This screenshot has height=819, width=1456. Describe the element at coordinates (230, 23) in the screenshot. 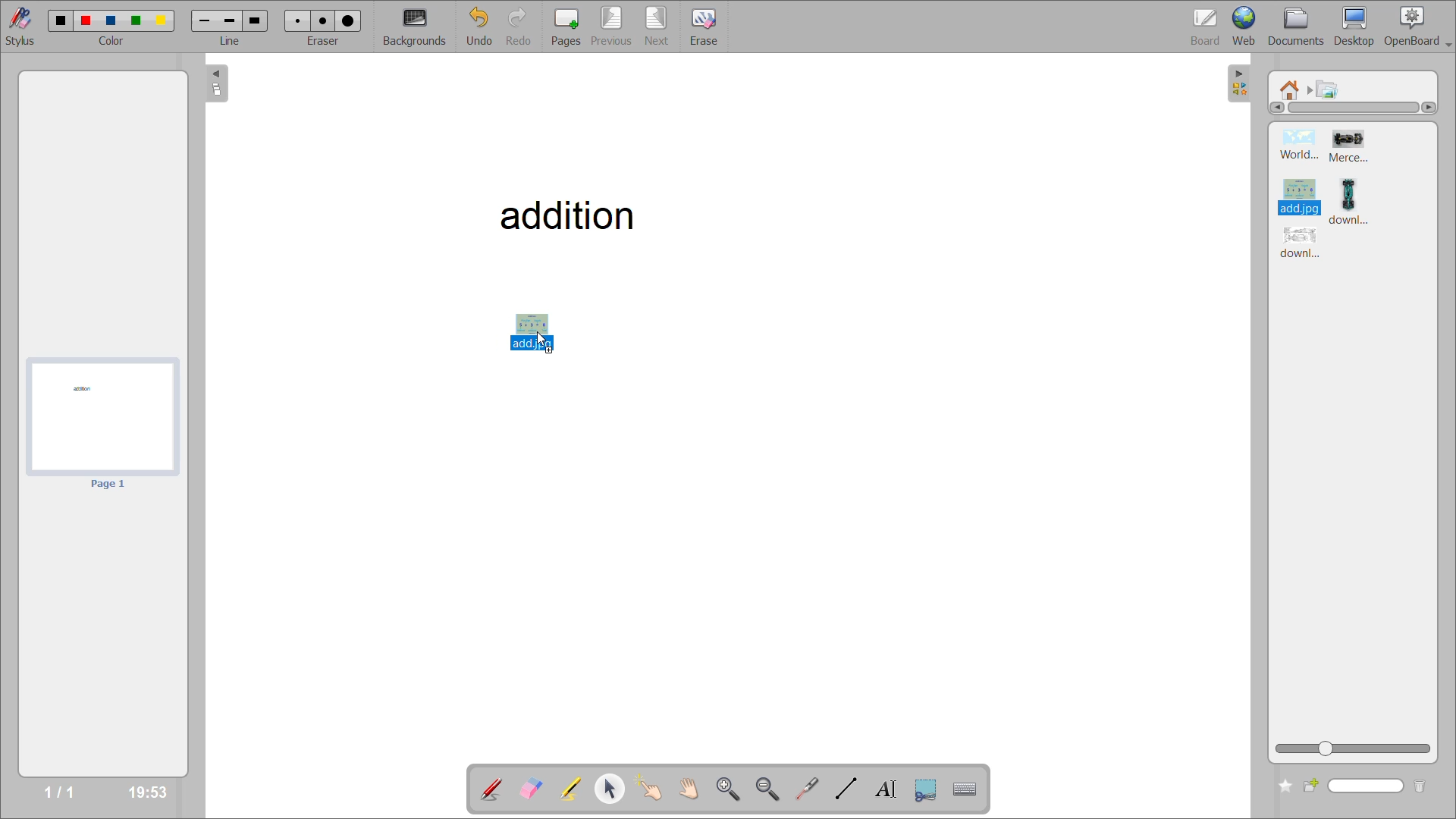

I see `line 2` at that location.